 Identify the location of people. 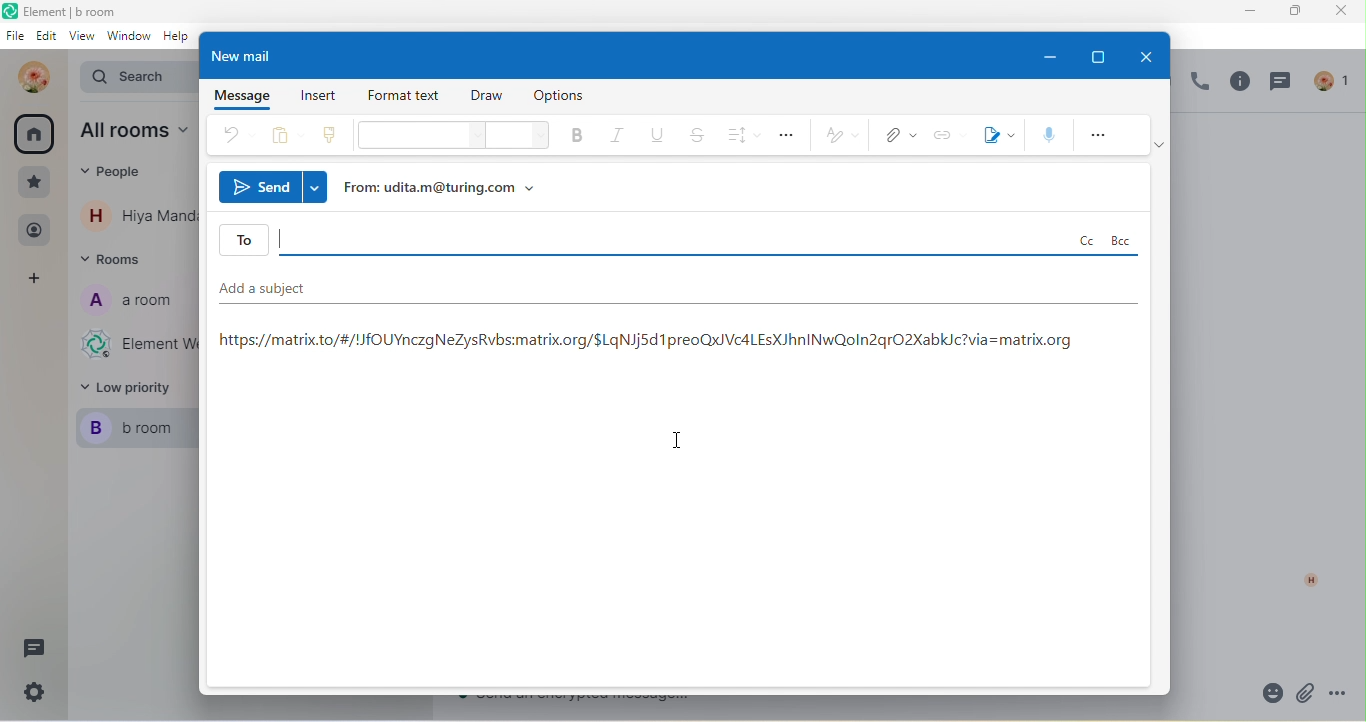
(1335, 79).